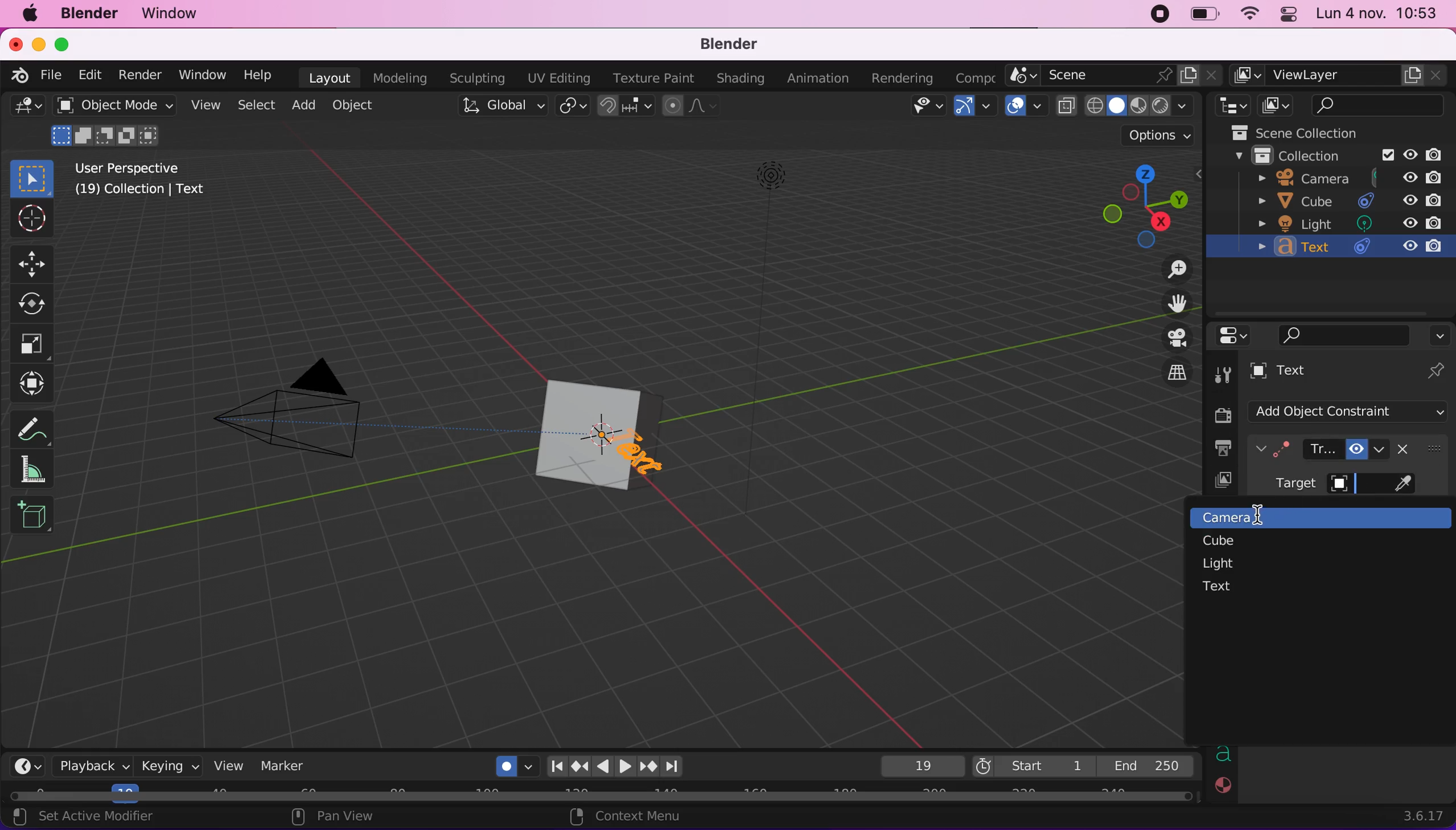  What do you see at coordinates (1221, 449) in the screenshot?
I see `output` at bounding box center [1221, 449].